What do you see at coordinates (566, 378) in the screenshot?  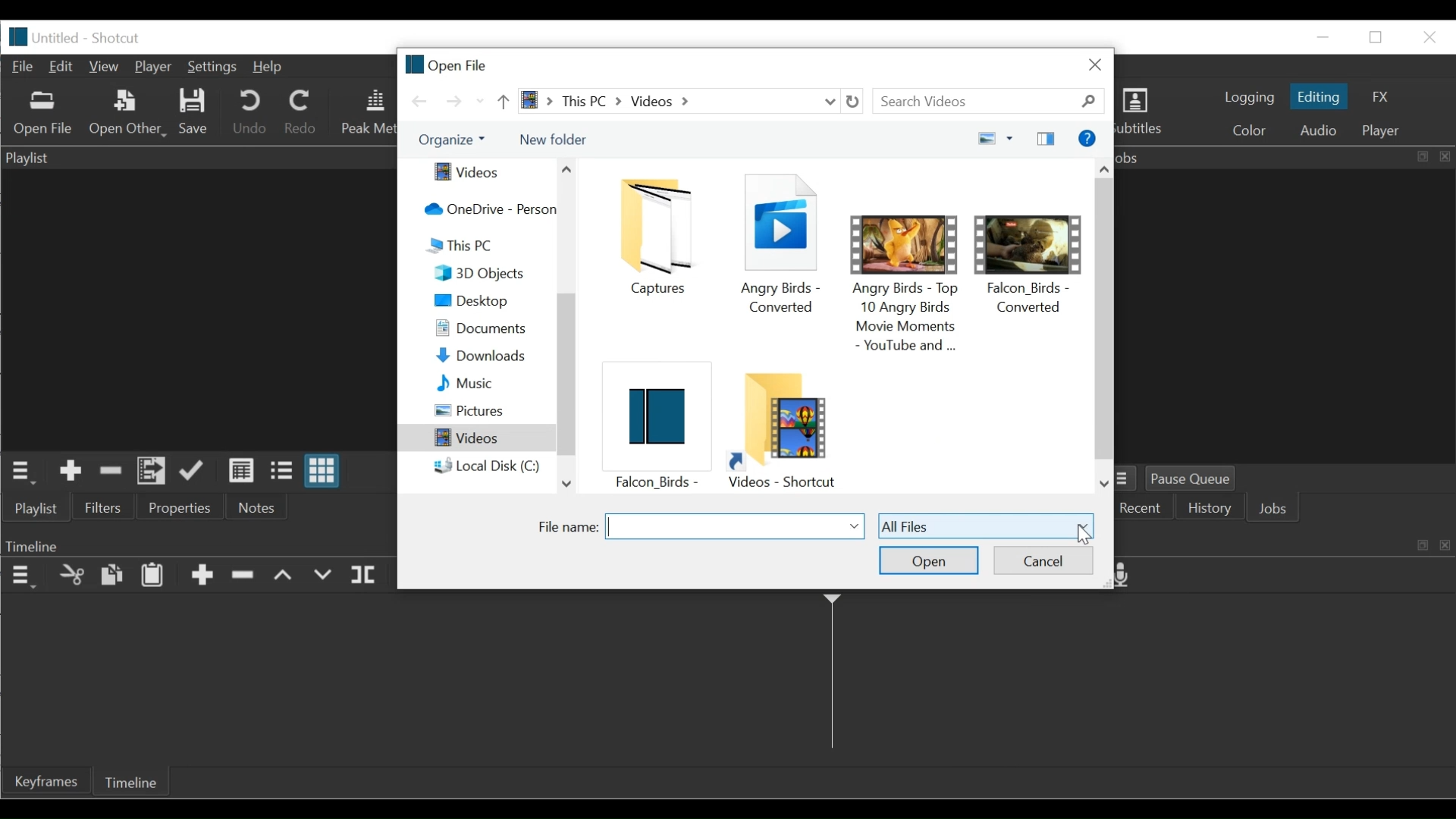 I see `Vertical Scroll bar` at bounding box center [566, 378].